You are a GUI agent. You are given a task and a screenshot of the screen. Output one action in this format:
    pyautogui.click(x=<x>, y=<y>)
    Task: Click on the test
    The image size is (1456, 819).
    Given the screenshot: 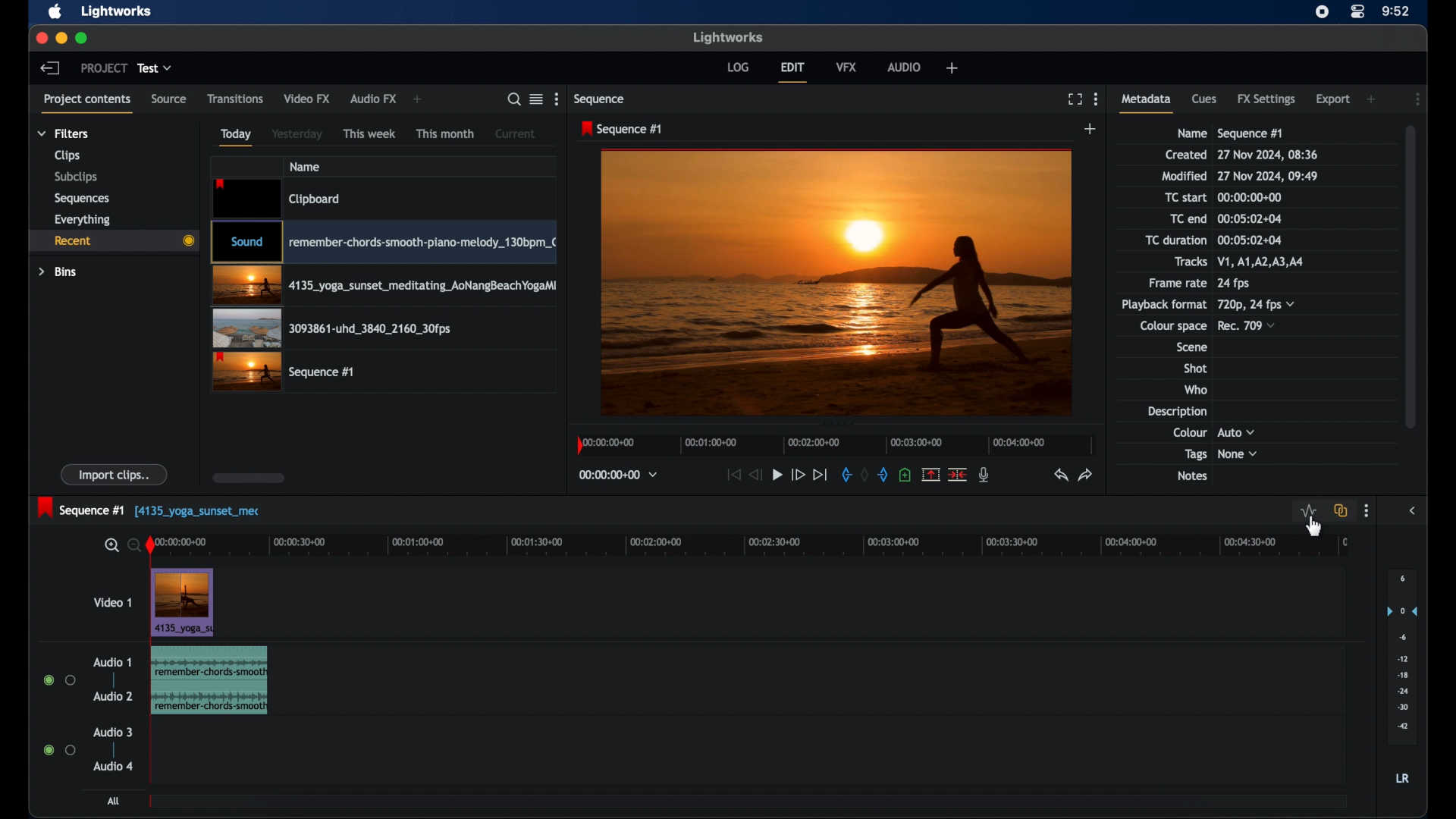 What is the action you would take?
    pyautogui.click(x=155, y=67)
    